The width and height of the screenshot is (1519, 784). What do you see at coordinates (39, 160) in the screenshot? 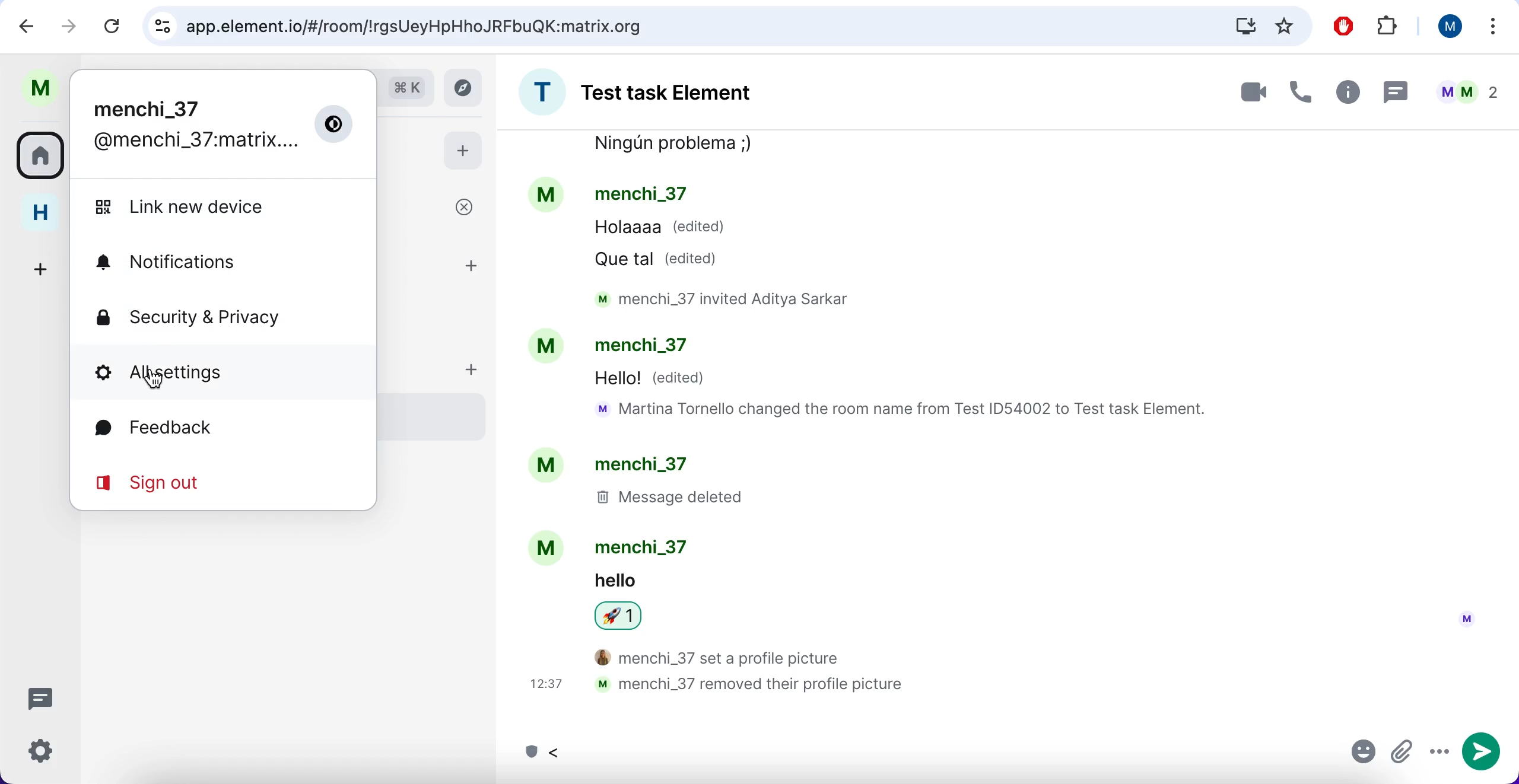
I see `all rooms` at bounding box center [39, 160].